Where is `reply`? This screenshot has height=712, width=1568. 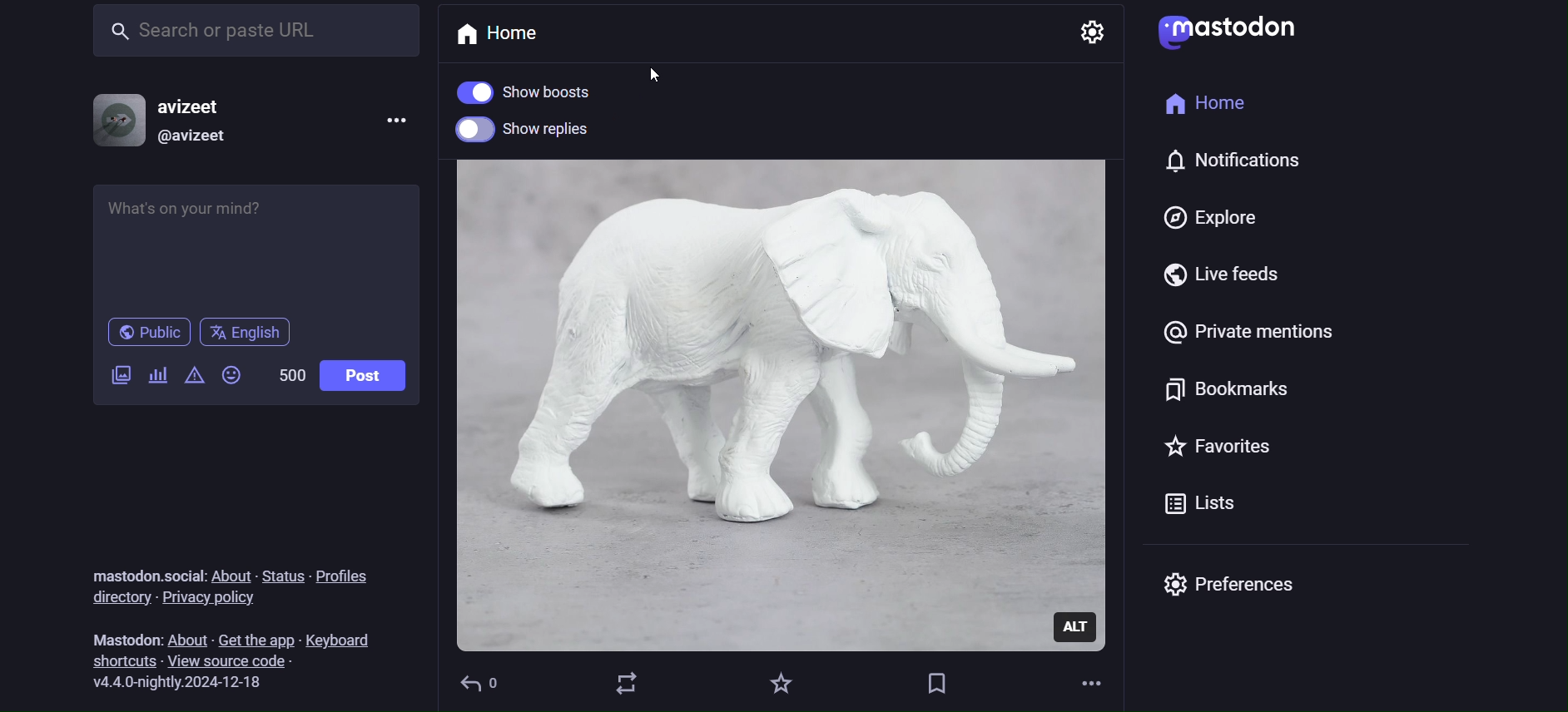
reply is located at coordinates (483, 685).